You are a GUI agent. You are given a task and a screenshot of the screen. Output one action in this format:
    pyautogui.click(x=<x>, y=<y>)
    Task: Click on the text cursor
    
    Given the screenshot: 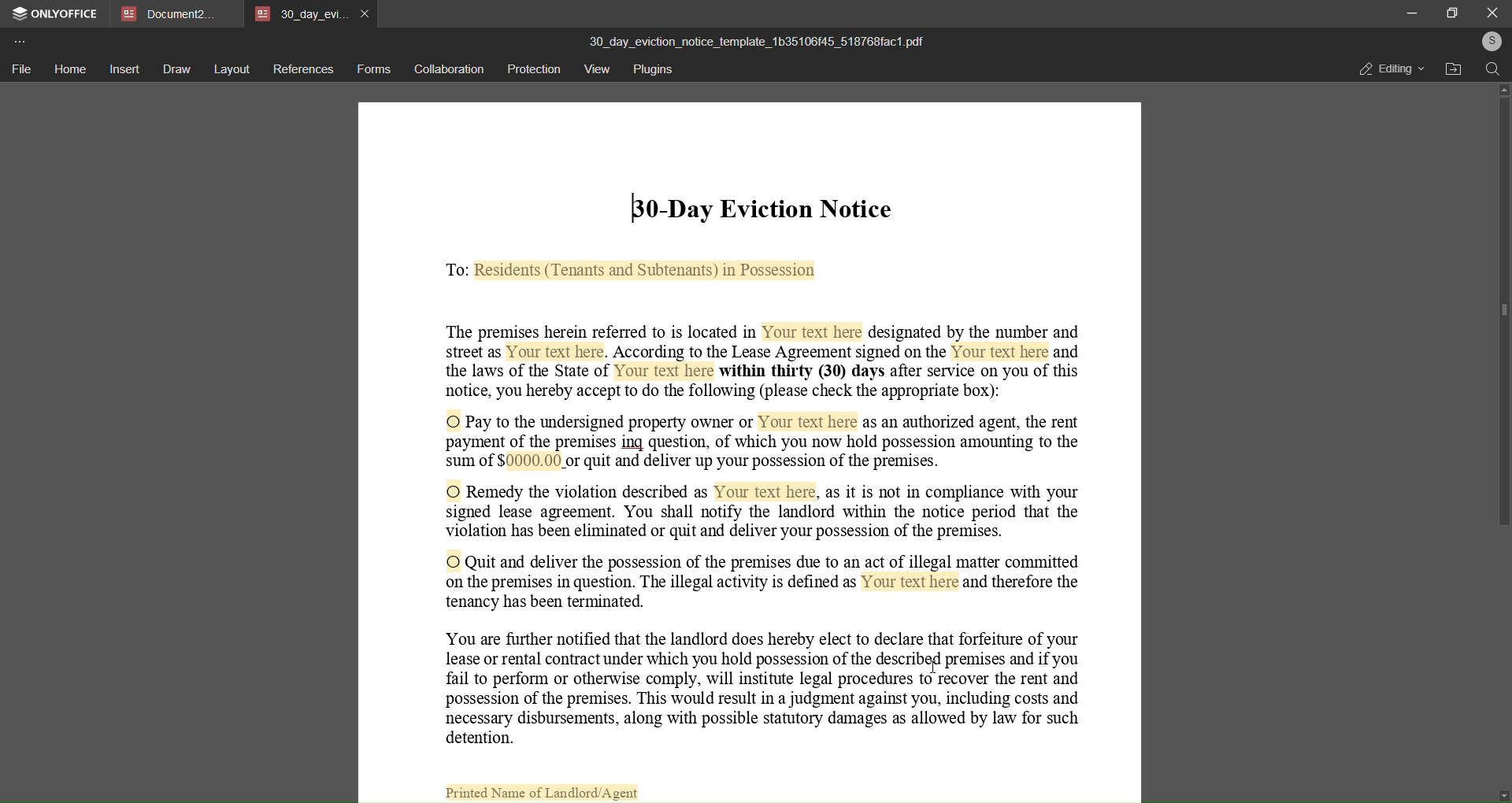 What is the action you would take?
    pyautogui.click(x=635, y=206)
    